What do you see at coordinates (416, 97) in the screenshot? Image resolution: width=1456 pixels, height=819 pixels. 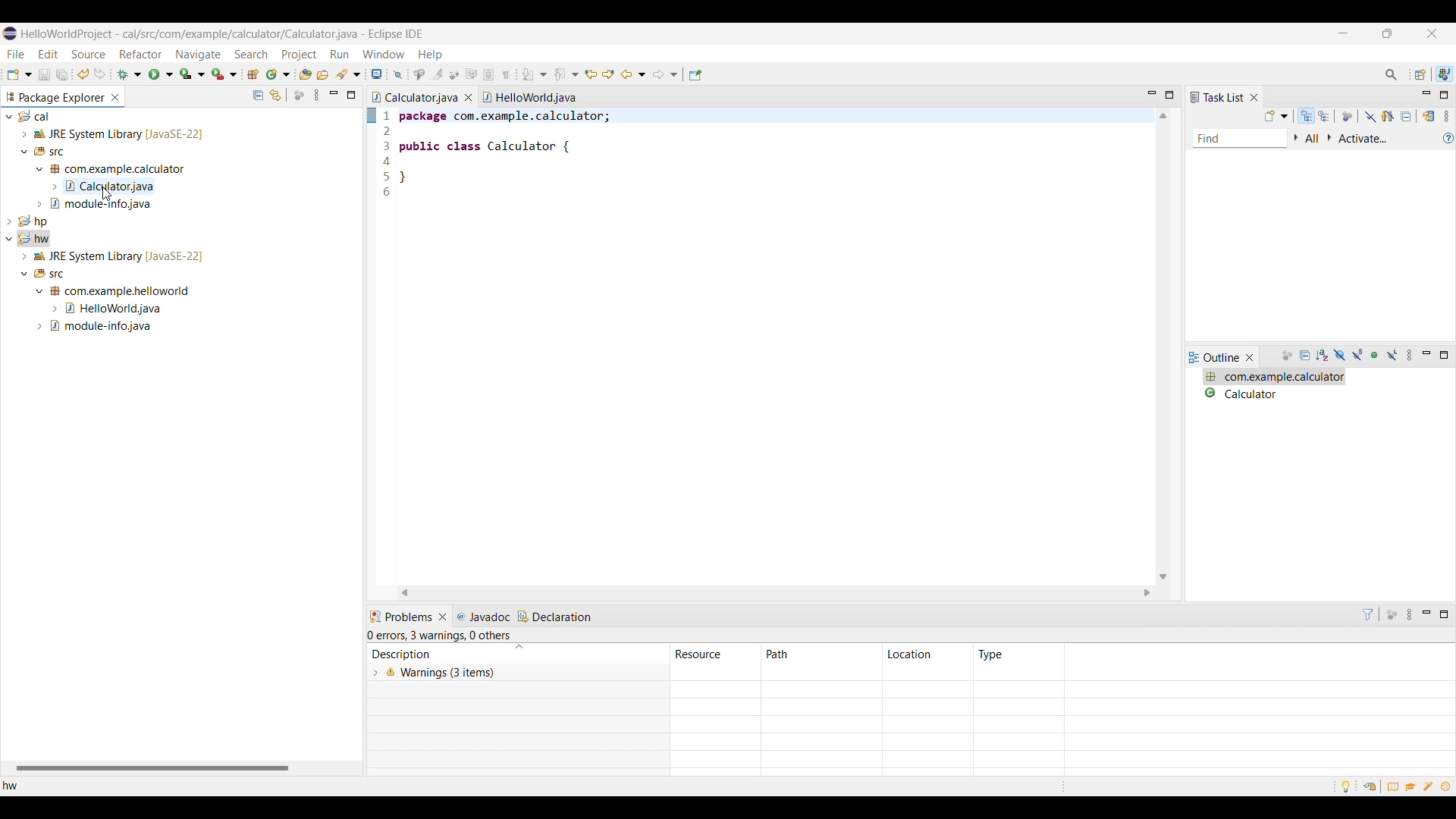 I see `calculator.java` at bounding box center [416, 97].